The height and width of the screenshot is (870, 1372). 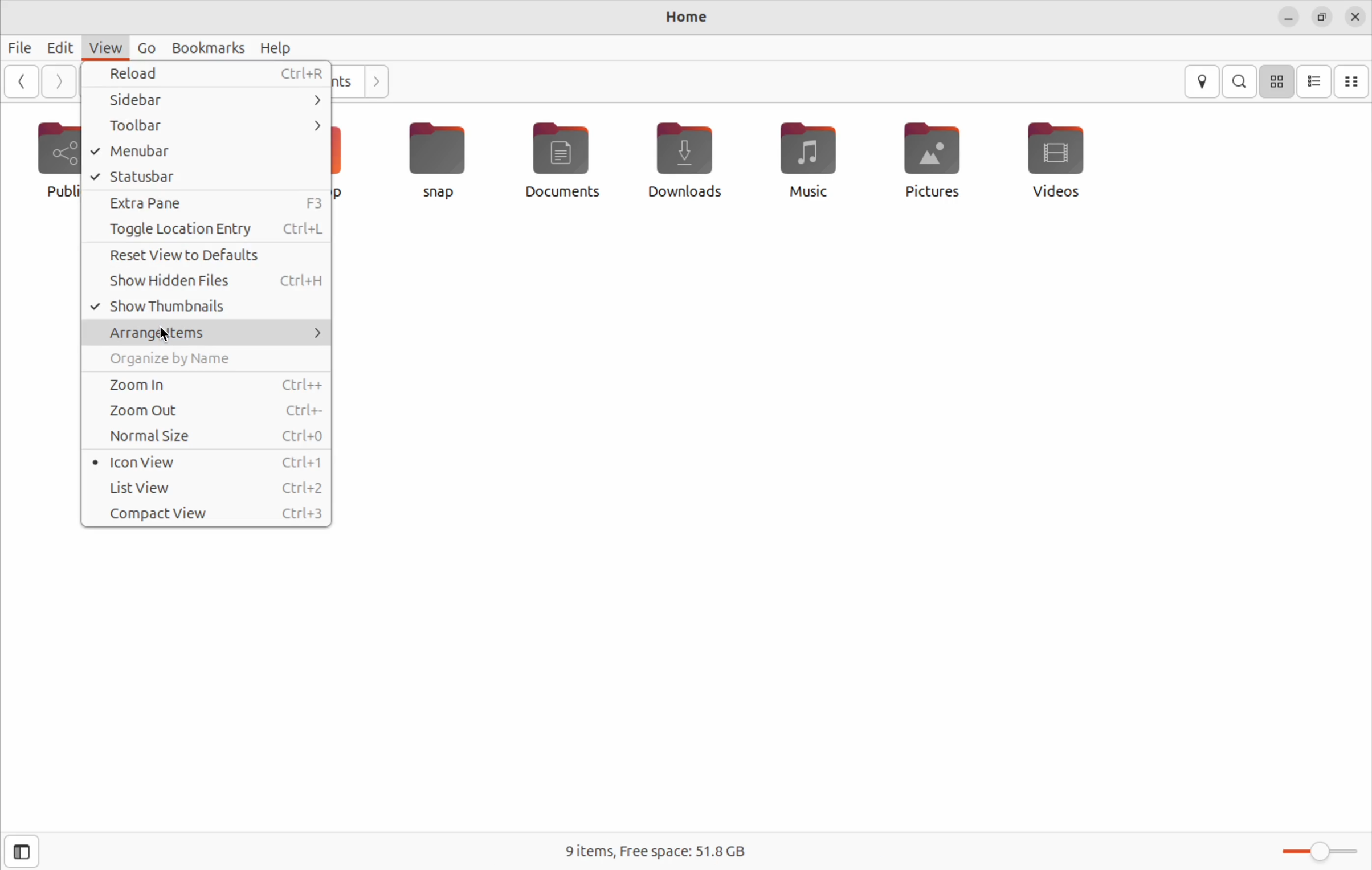 I want to click on reset view to defaults, so click(x=203, y=256).